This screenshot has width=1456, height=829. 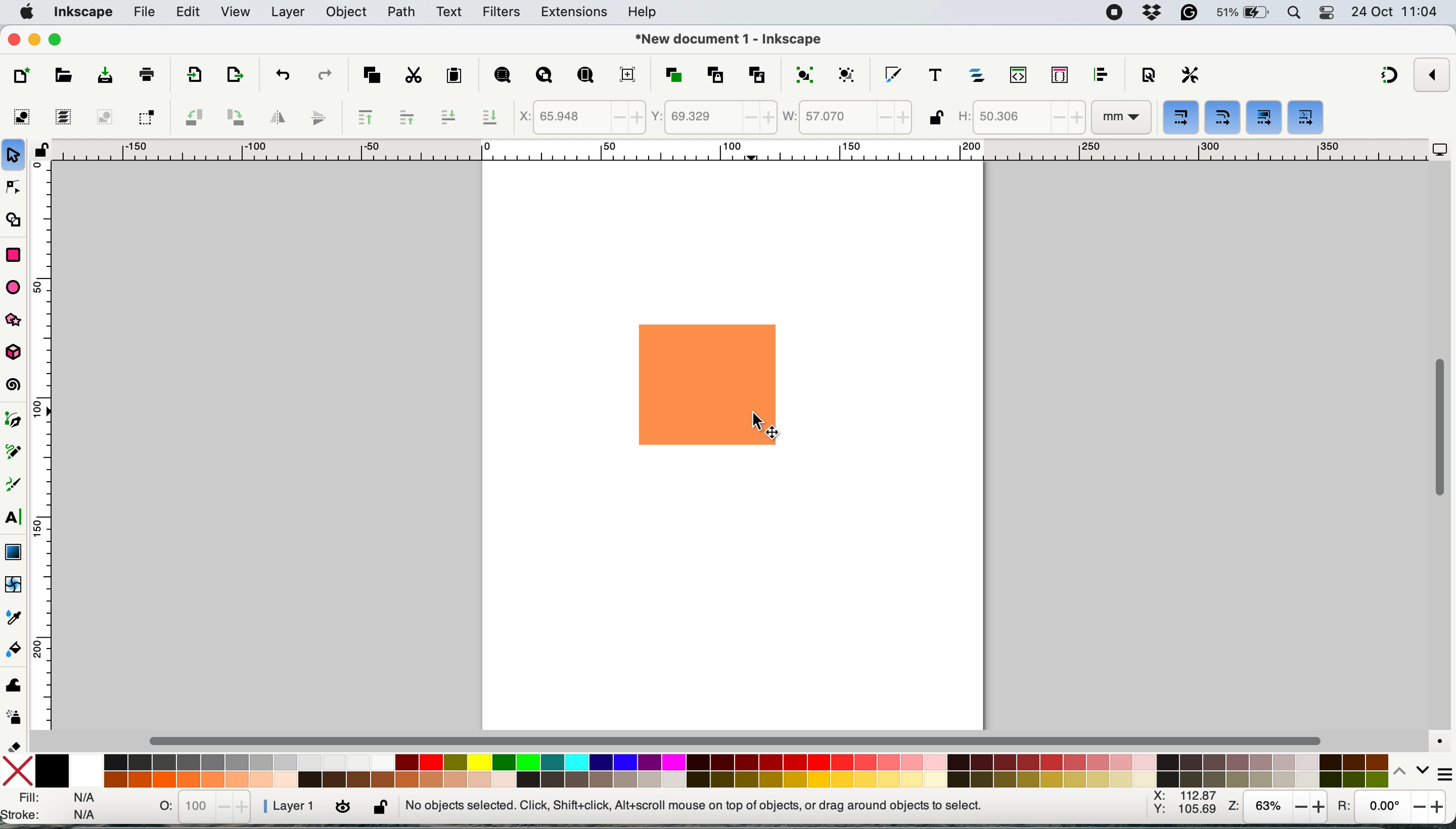 I want to click on paint bucket tool, so click(x=16, y=651).